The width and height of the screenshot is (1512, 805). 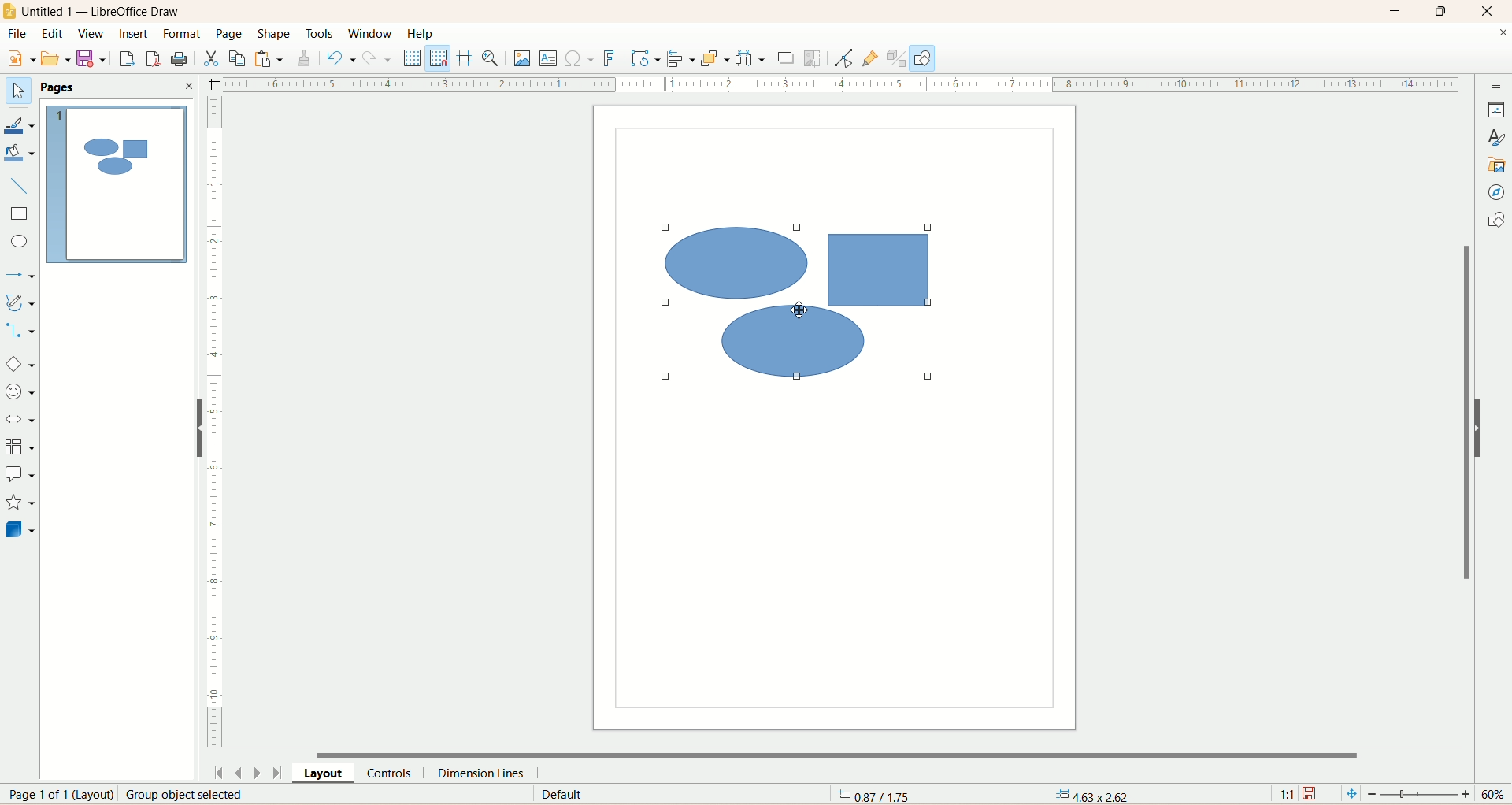 I want to click on shapes, so click(x=1495, y=221).